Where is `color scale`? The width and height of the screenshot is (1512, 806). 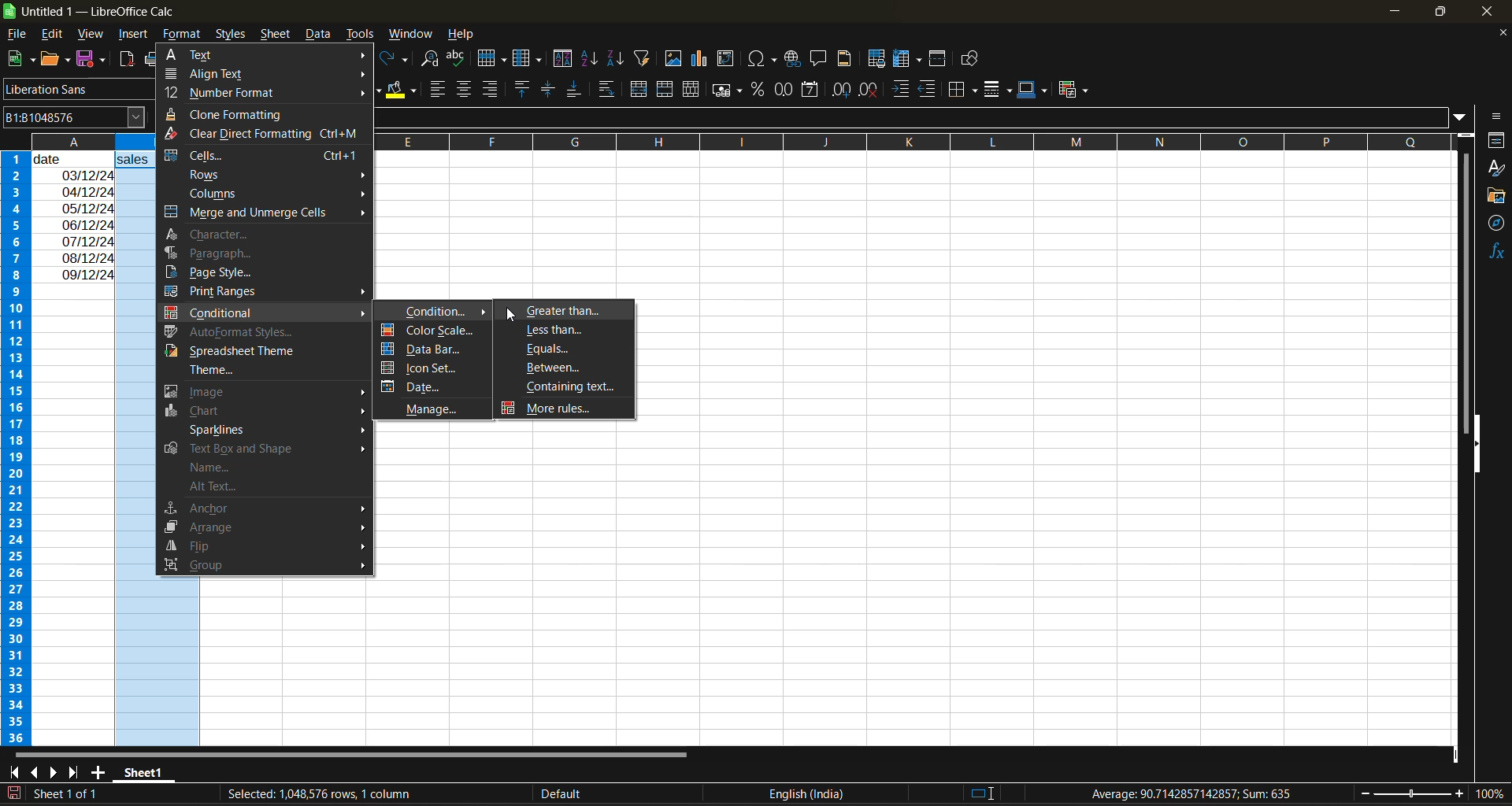
color scale is located at coordinates (429, 331).